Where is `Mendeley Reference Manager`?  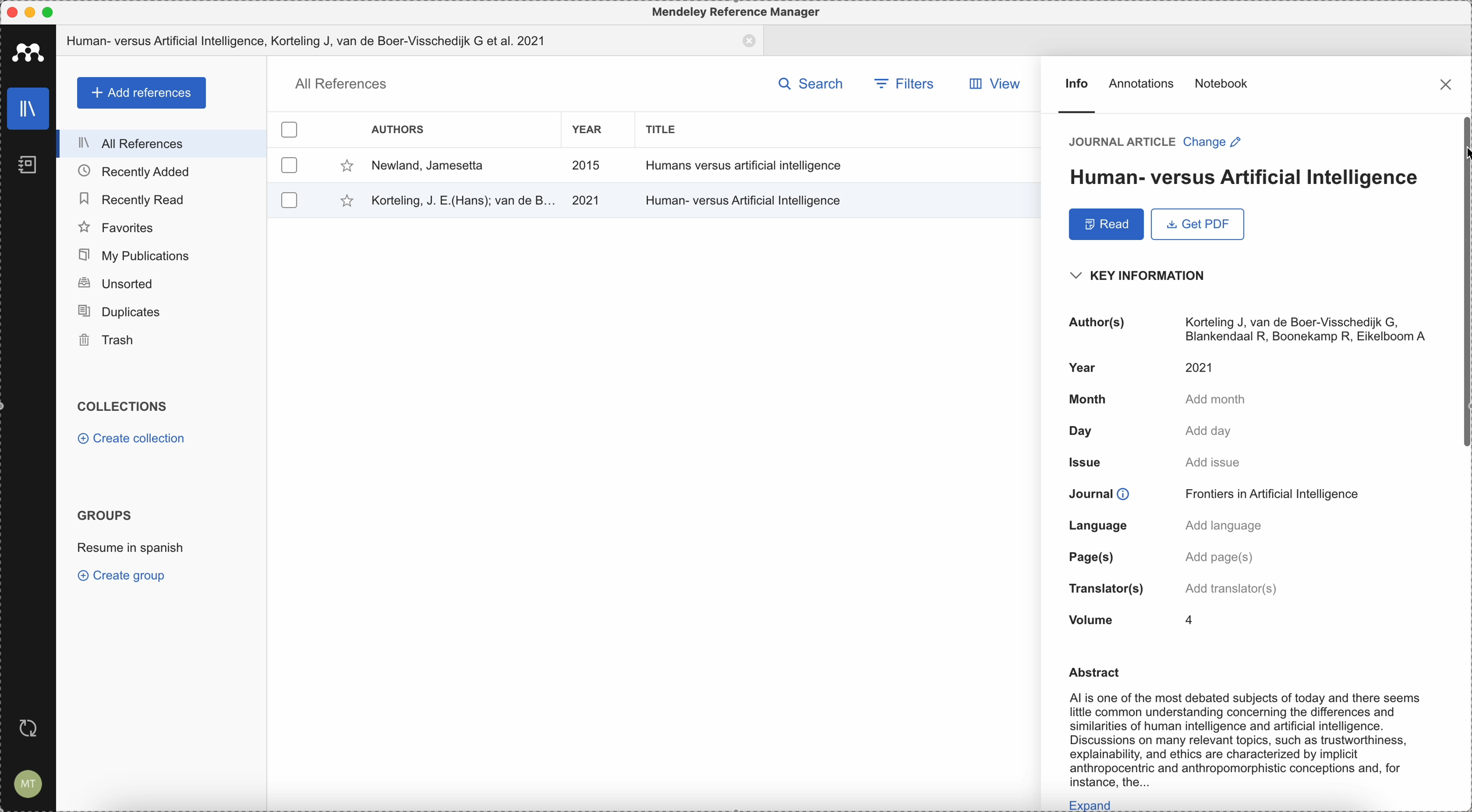 Mendeley Reference Manager is located at coordinates (738, 13).